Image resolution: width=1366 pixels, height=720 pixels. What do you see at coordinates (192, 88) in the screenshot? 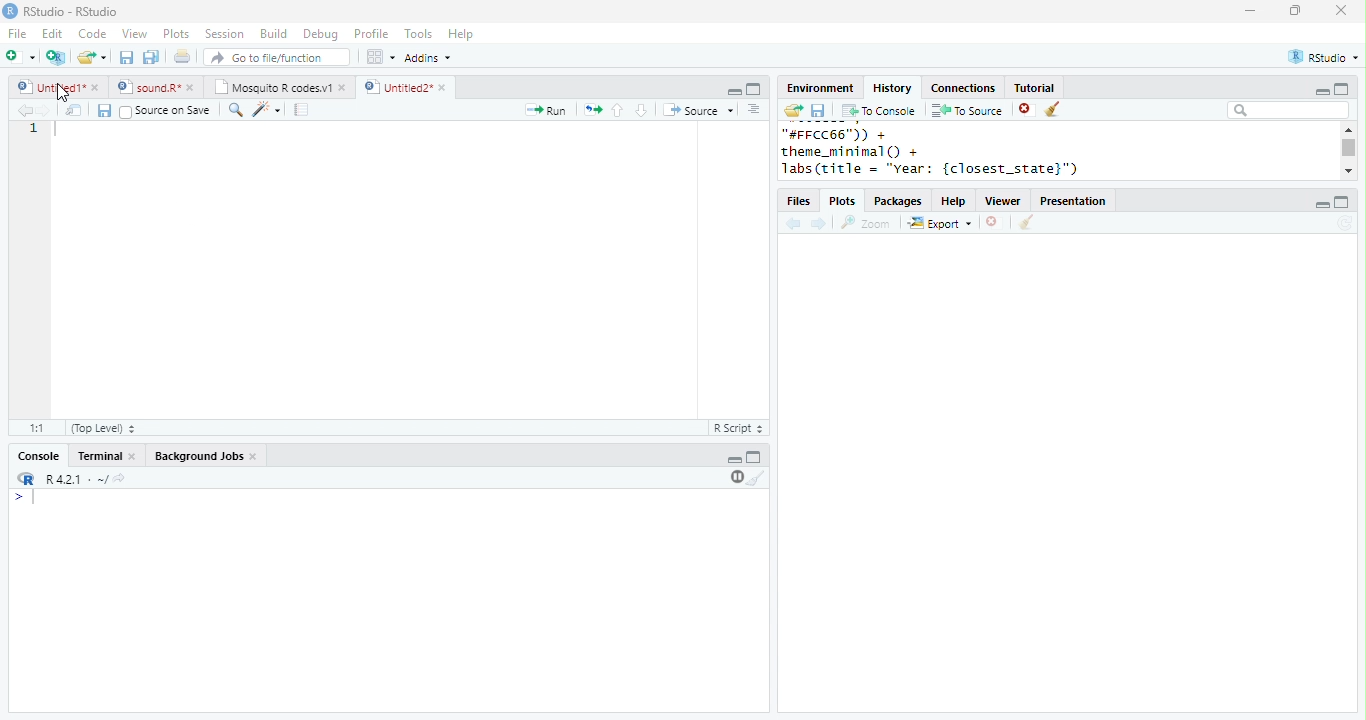
I see `close` at bounding box center [192, 88].